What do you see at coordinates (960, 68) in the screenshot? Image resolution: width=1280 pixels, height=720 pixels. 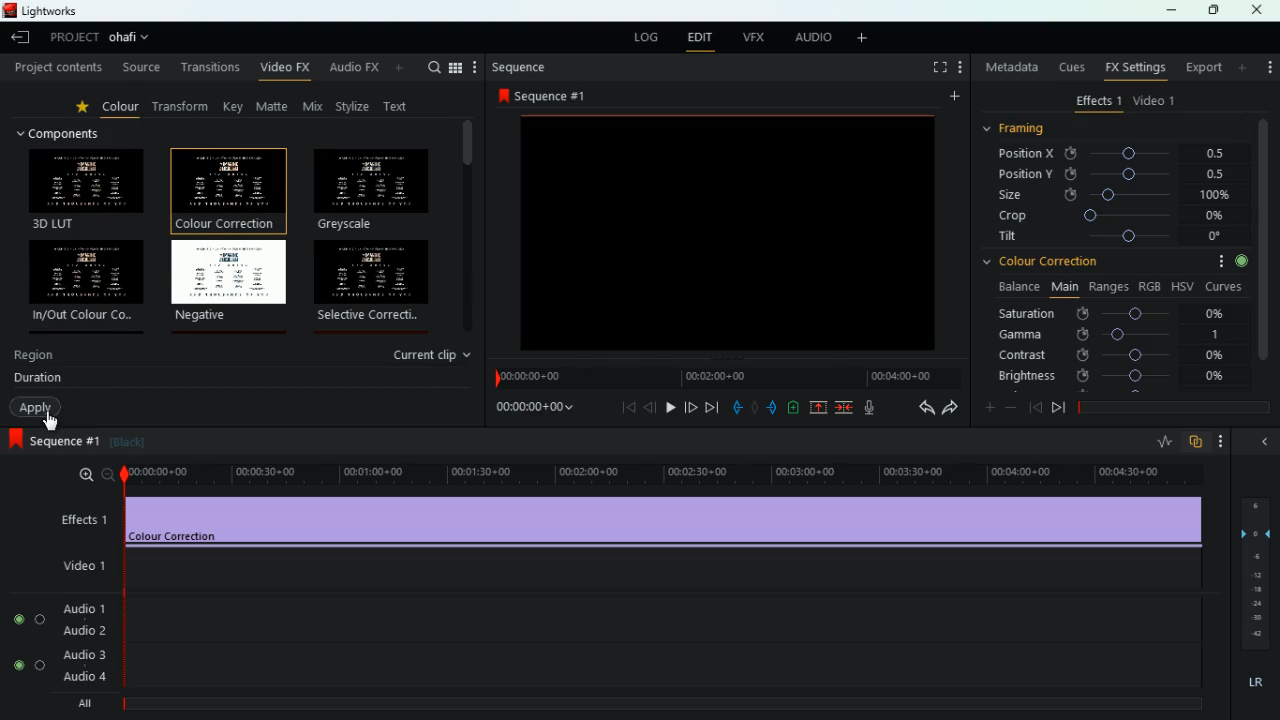 I see `more` at bounding box center [960, 68].